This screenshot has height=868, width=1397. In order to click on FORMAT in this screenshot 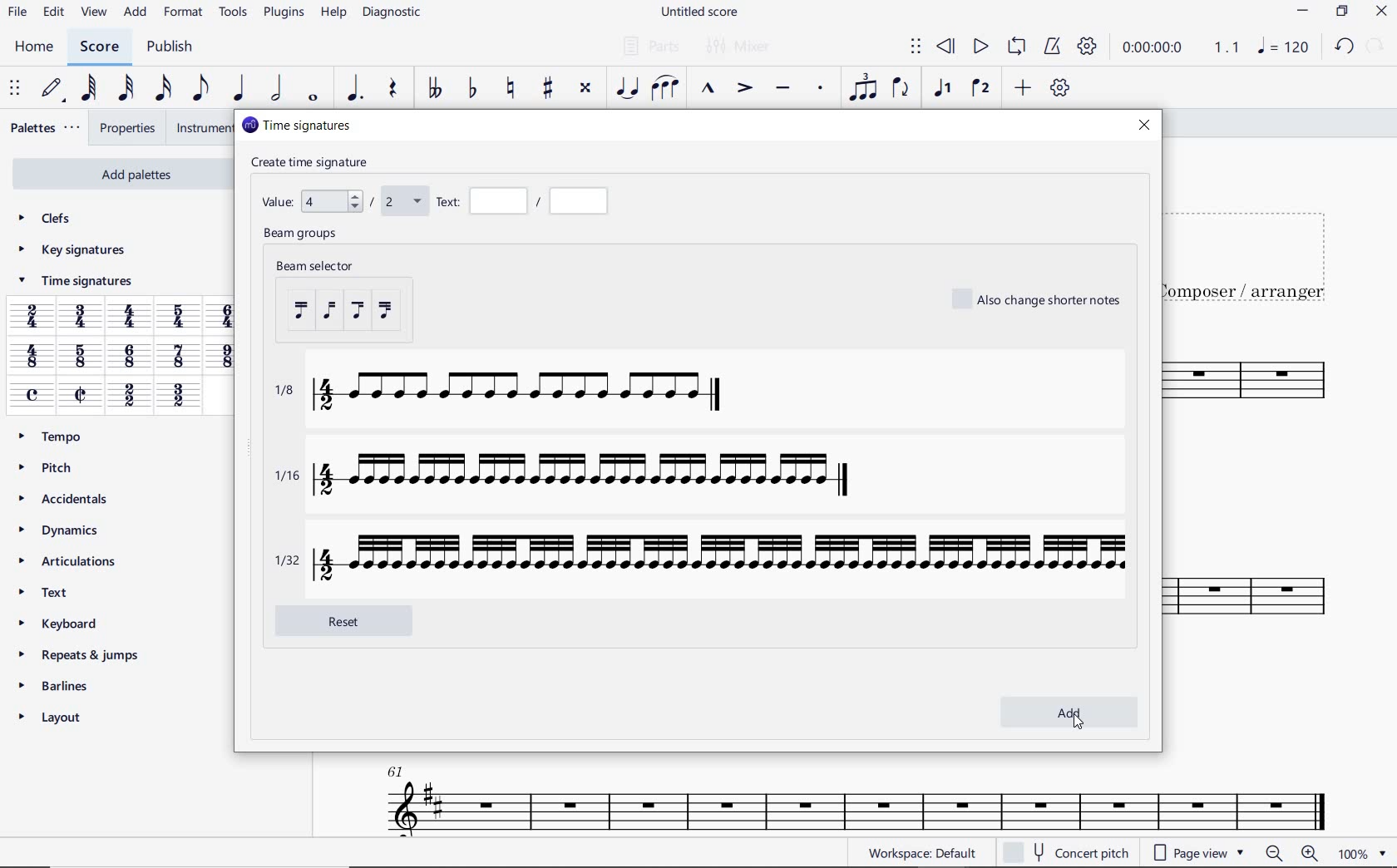, I will do `click(183, 12)`.